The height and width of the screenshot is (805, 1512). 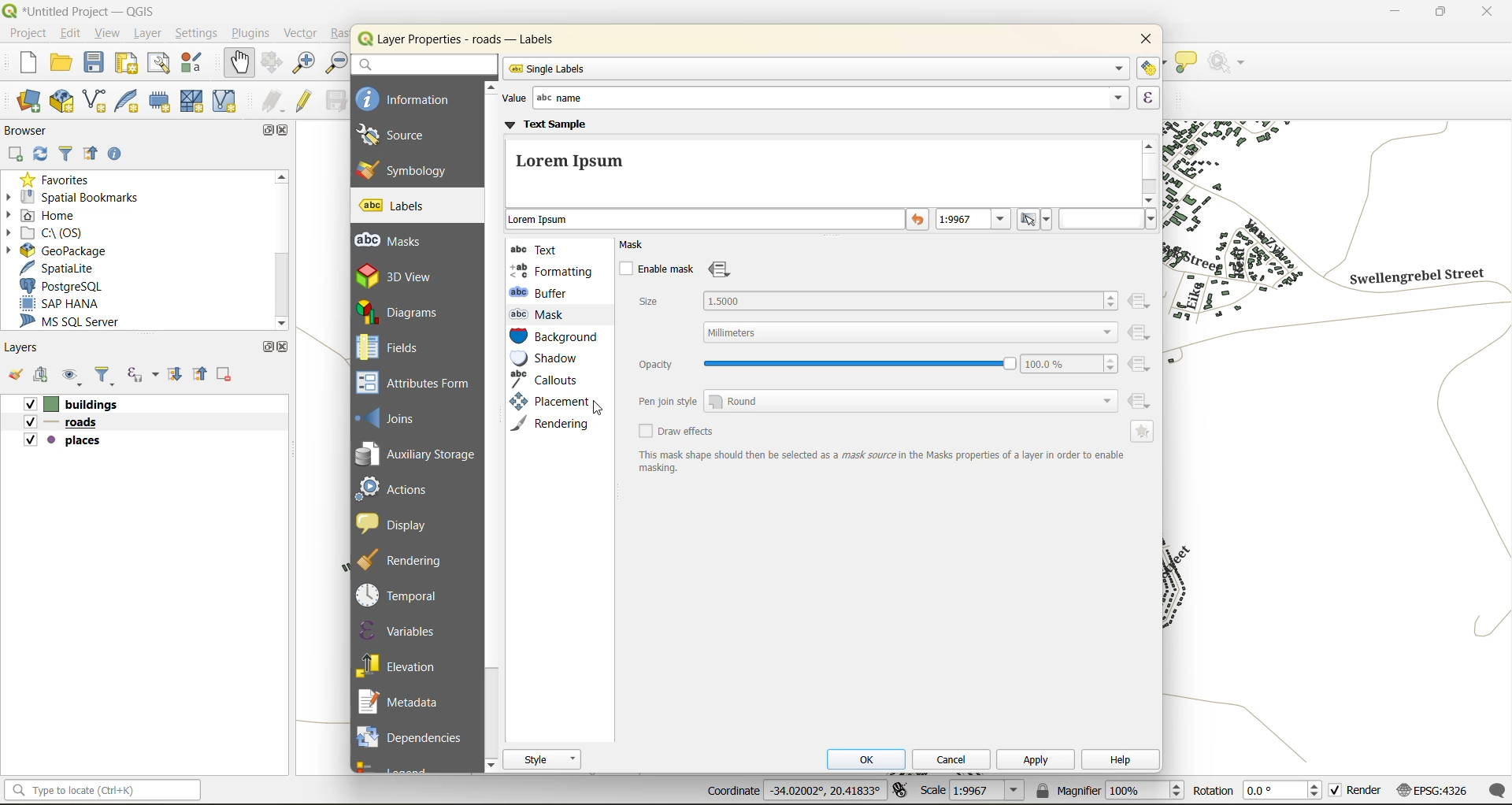 I want to click on show tips, so click(x=1187, y=63).